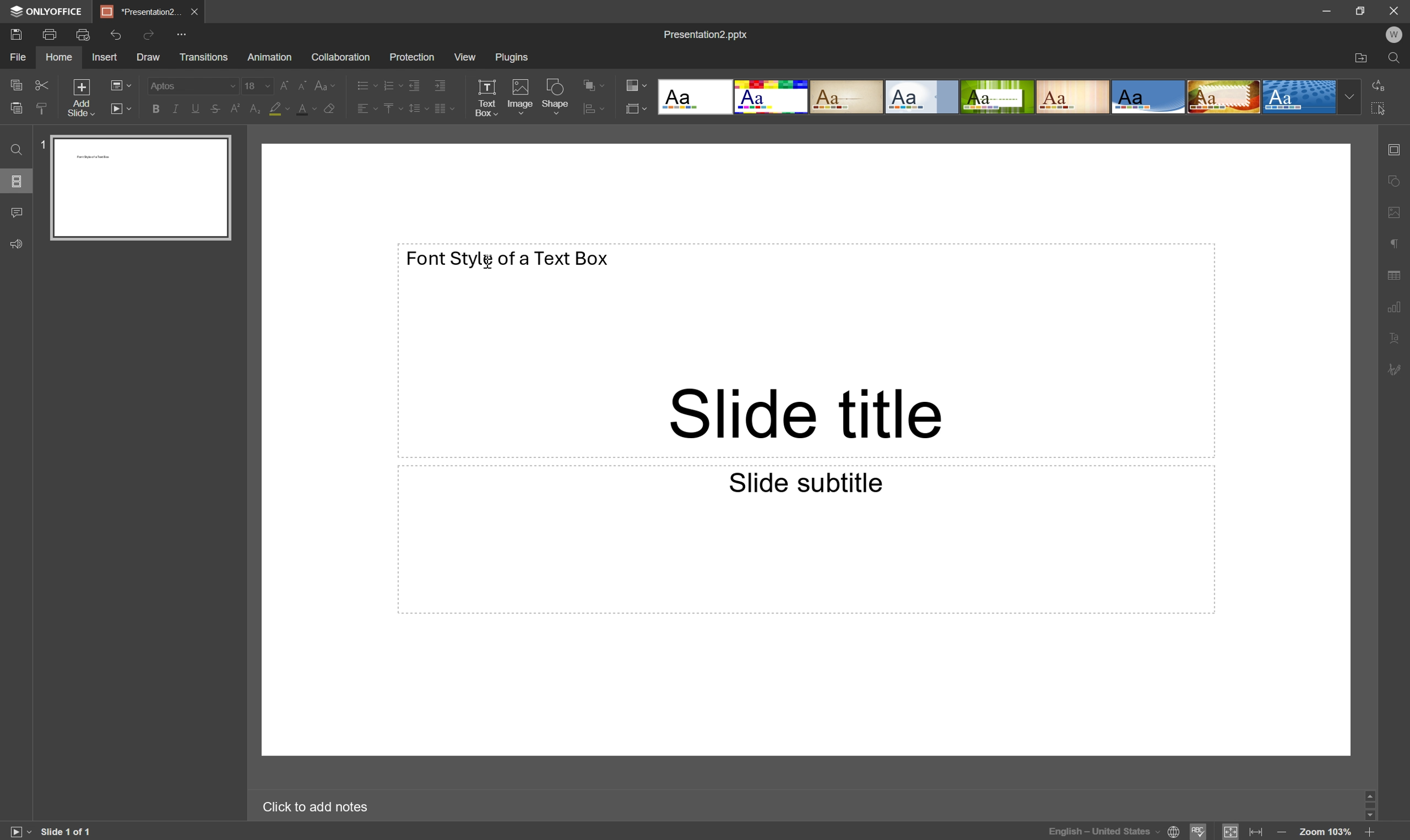 This screenshot has height=840, width=1410. I want to click on ONLYOFFICE, so click(45, 11).